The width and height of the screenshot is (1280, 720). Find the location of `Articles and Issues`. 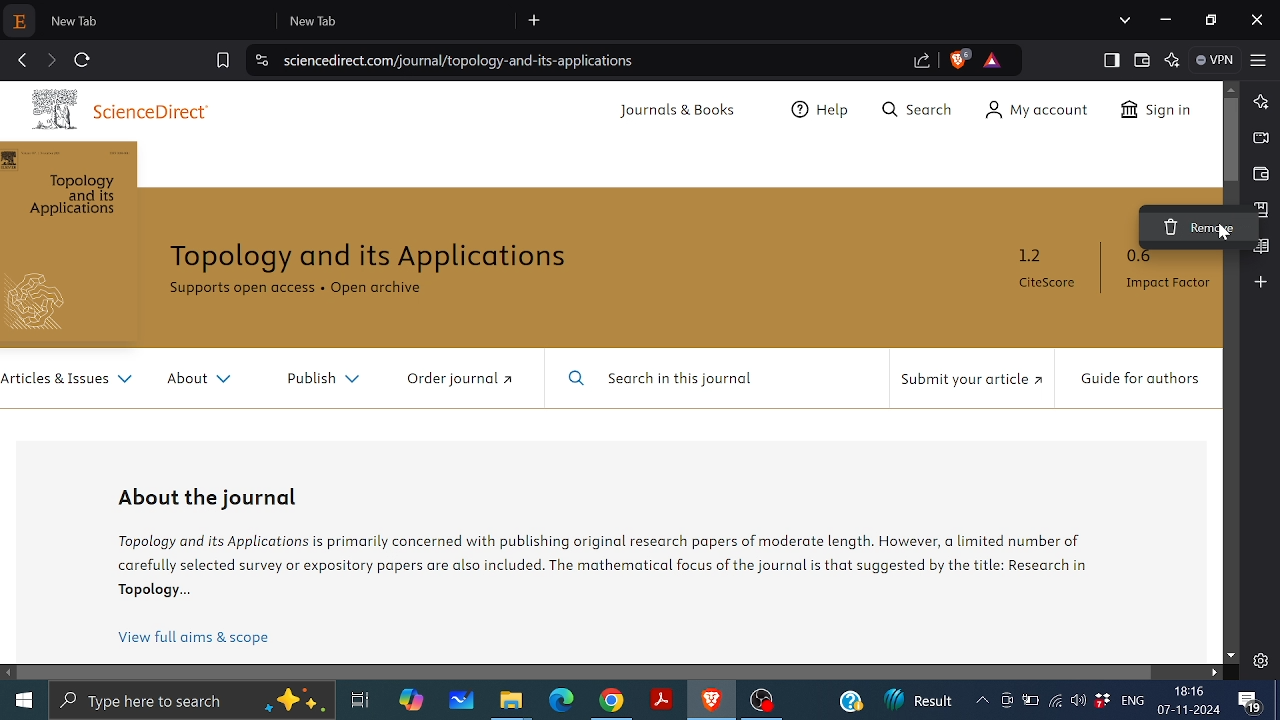

Articles and Issues is located at coordinates (69, 382).